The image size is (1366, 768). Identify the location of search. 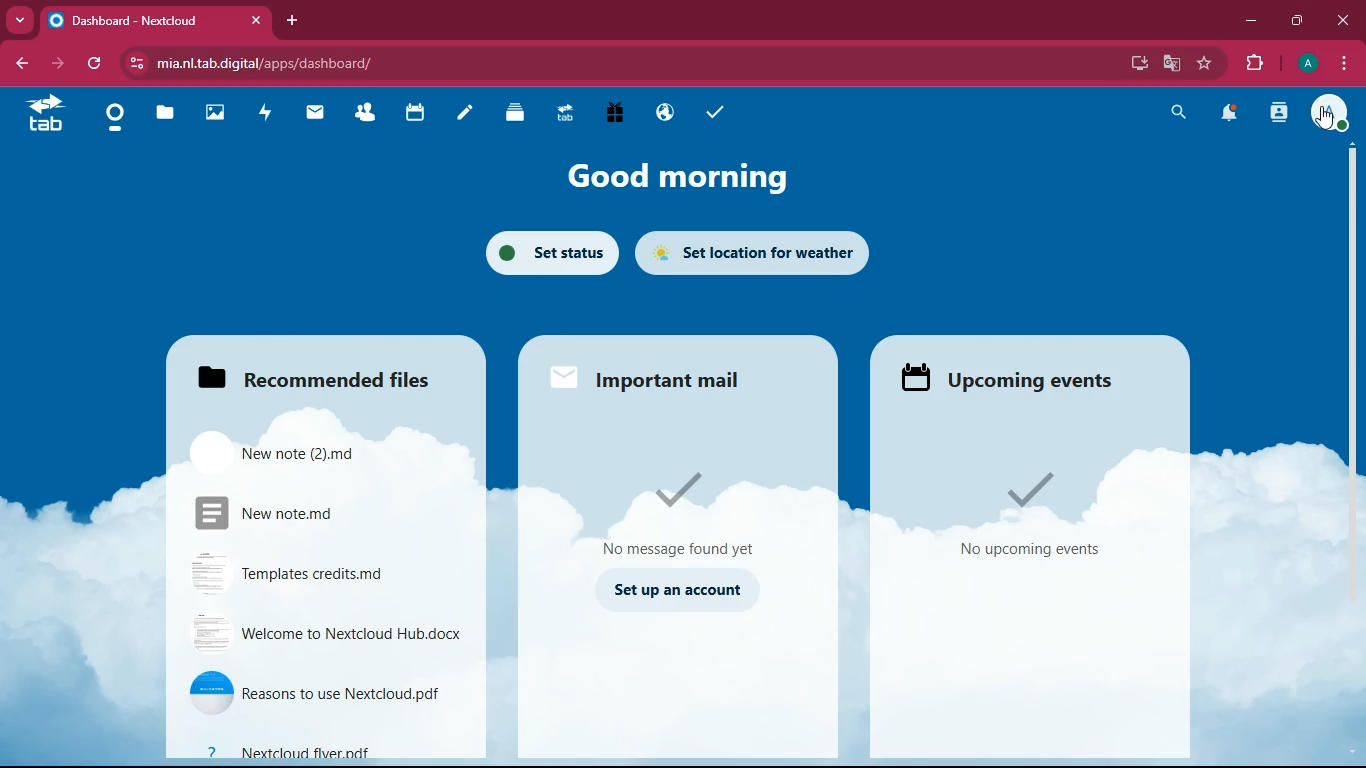
(1180, 114).